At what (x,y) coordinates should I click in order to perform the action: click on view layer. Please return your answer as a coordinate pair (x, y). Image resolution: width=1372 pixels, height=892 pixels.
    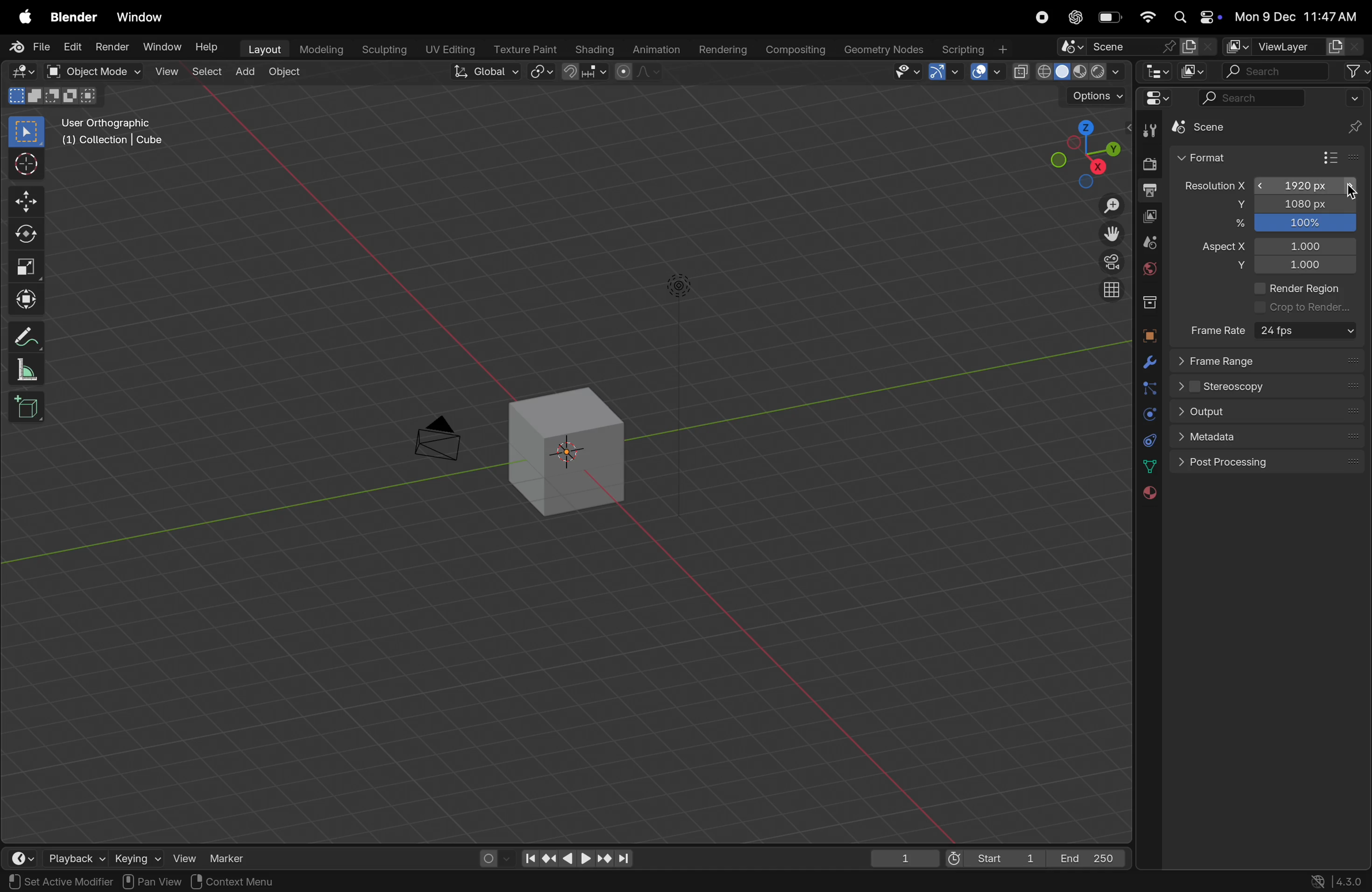
    Looking at the image, I should click on (1292, 47).